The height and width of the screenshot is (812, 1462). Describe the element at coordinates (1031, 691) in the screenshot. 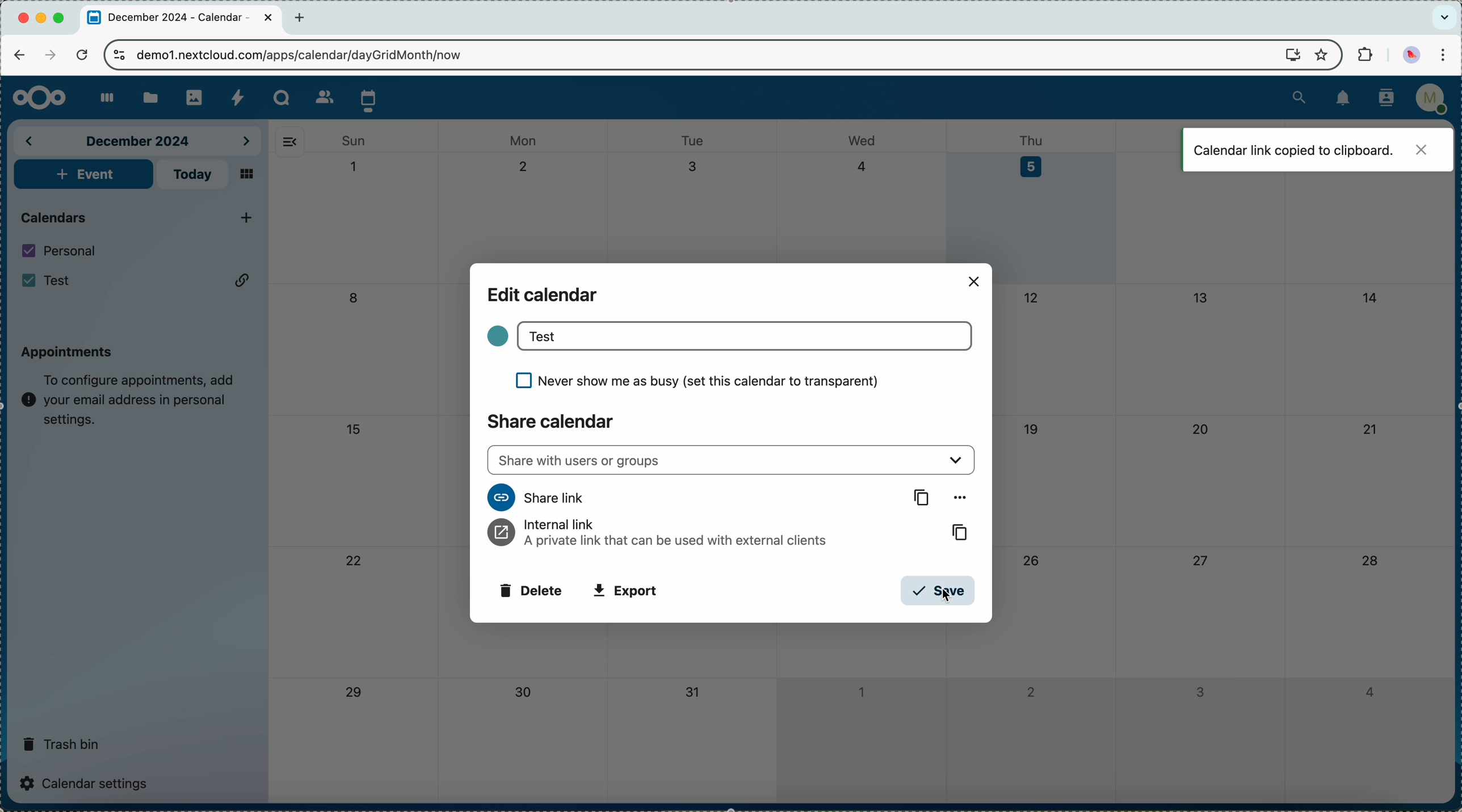

I see `2` at that location.